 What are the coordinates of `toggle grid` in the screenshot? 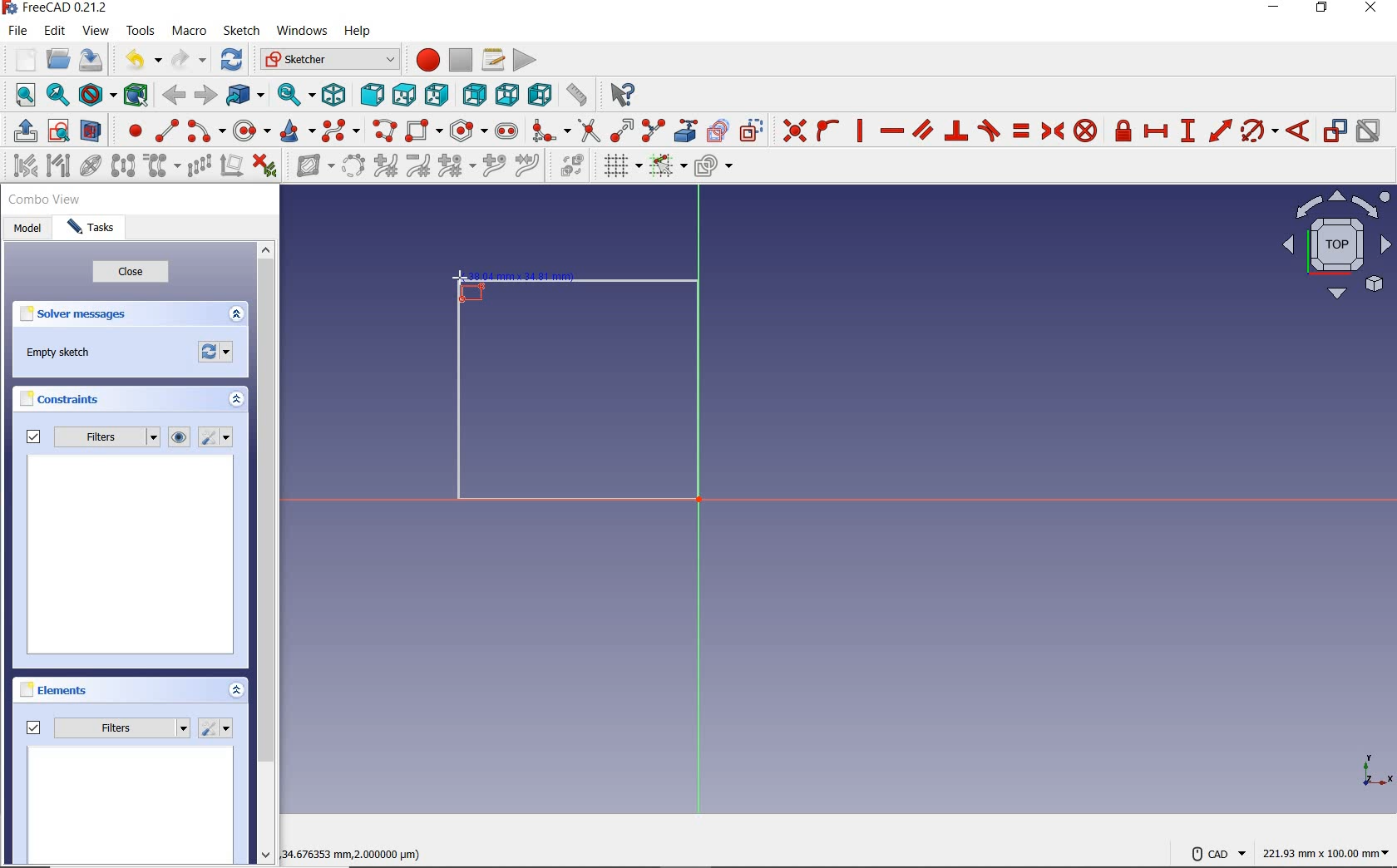 It's located at (619, 167).